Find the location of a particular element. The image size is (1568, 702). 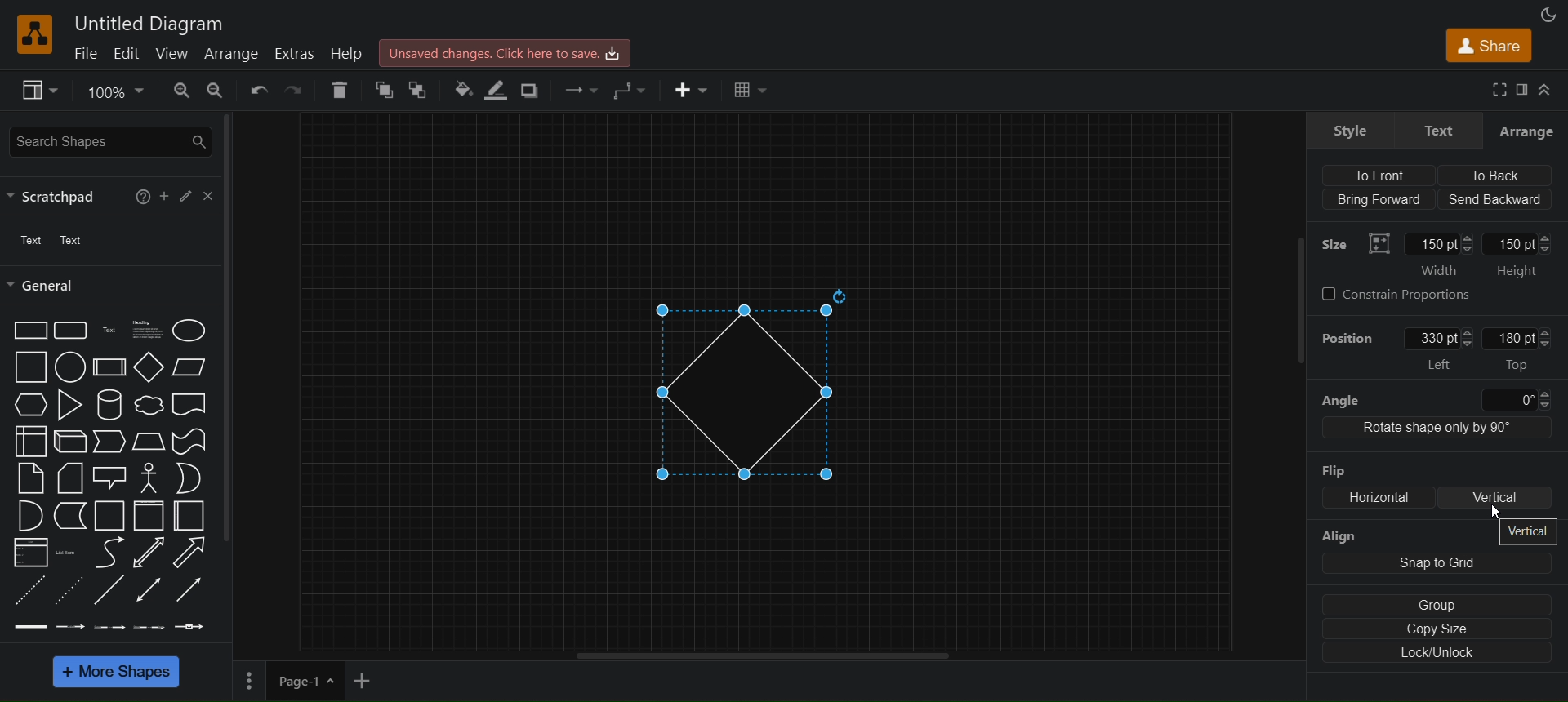

collapse/expand is located at coordinates (1547, 89).